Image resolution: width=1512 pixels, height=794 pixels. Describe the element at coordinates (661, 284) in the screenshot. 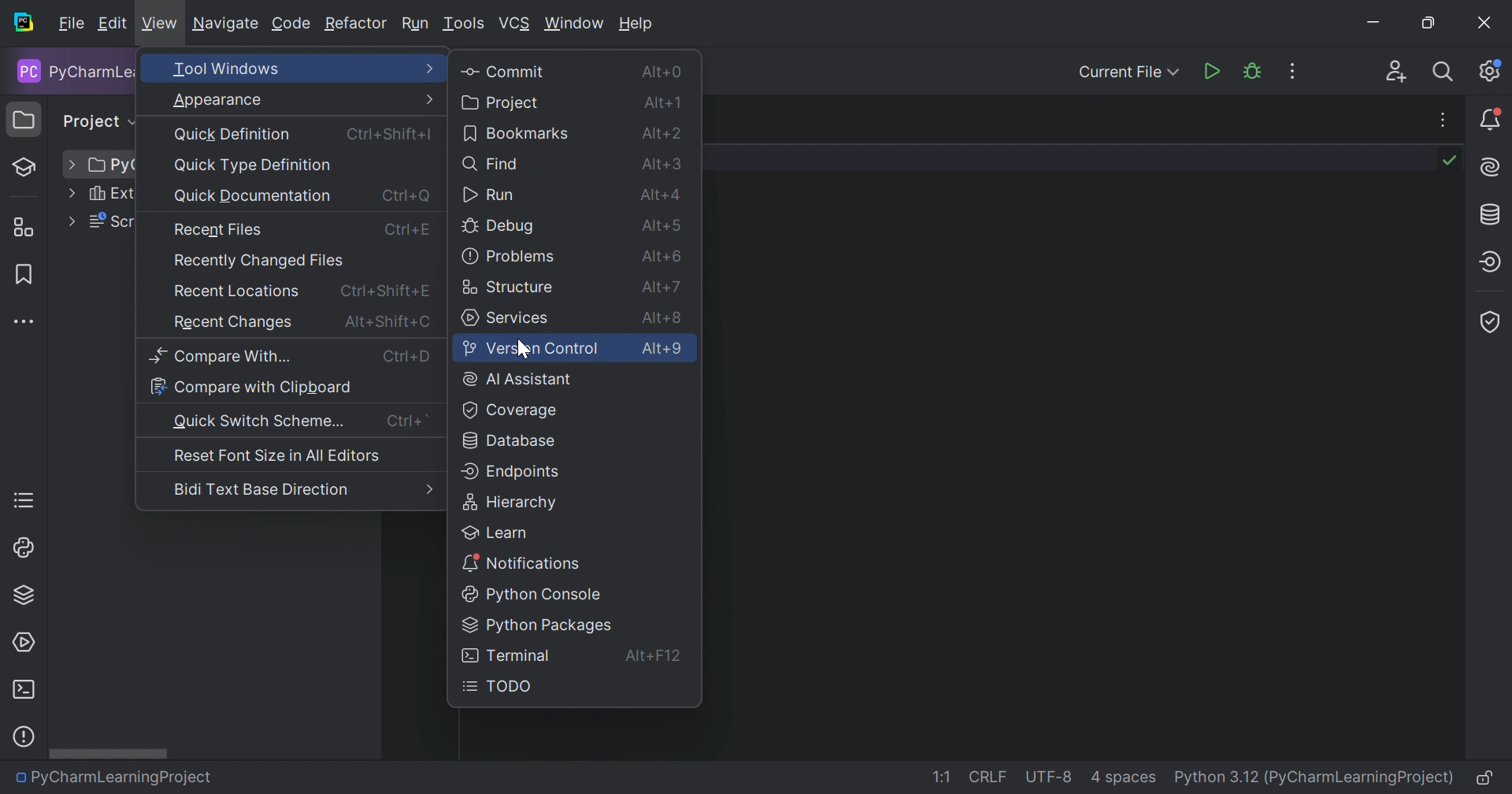

I see `Alt+7` at that location.